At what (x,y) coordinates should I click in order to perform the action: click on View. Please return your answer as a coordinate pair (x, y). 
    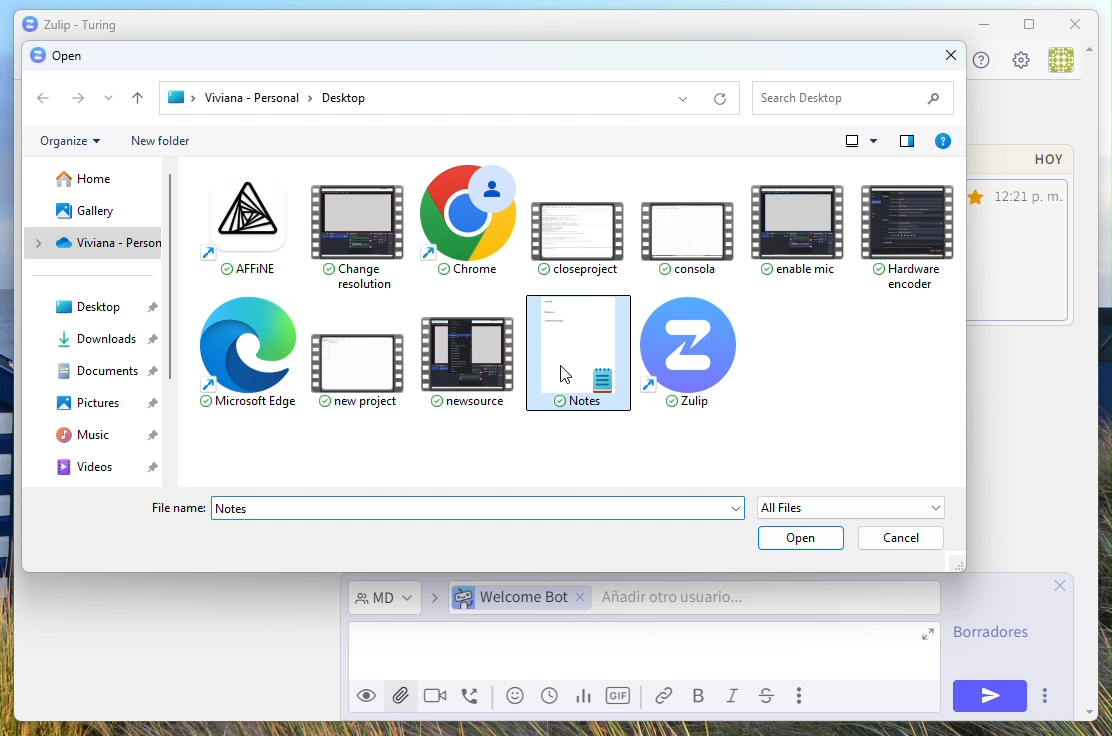
    Looking at the image, I should click on (864, 141).